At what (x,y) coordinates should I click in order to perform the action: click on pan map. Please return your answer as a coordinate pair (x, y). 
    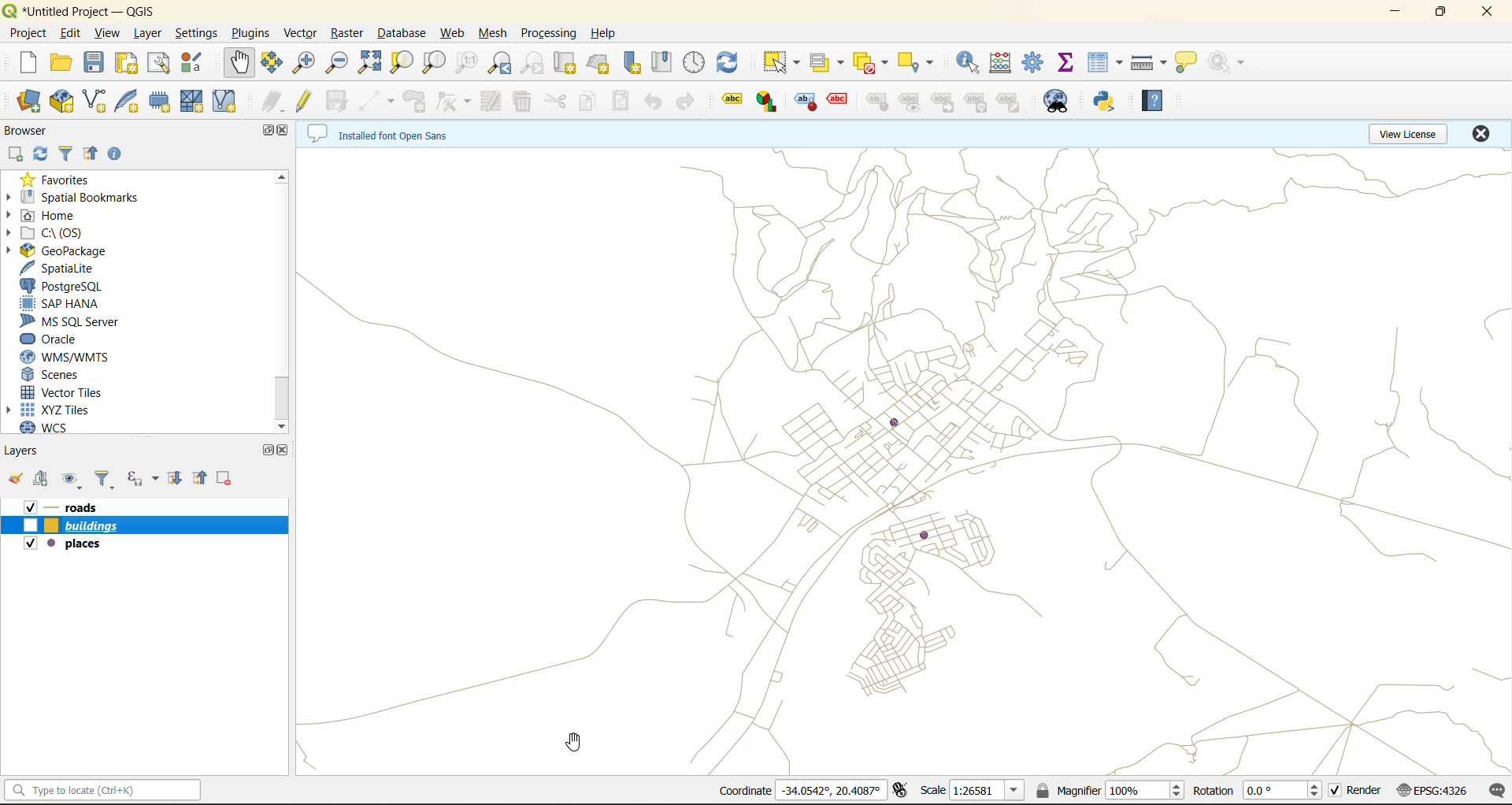
    Looking at the image, I should click on (234, 65).